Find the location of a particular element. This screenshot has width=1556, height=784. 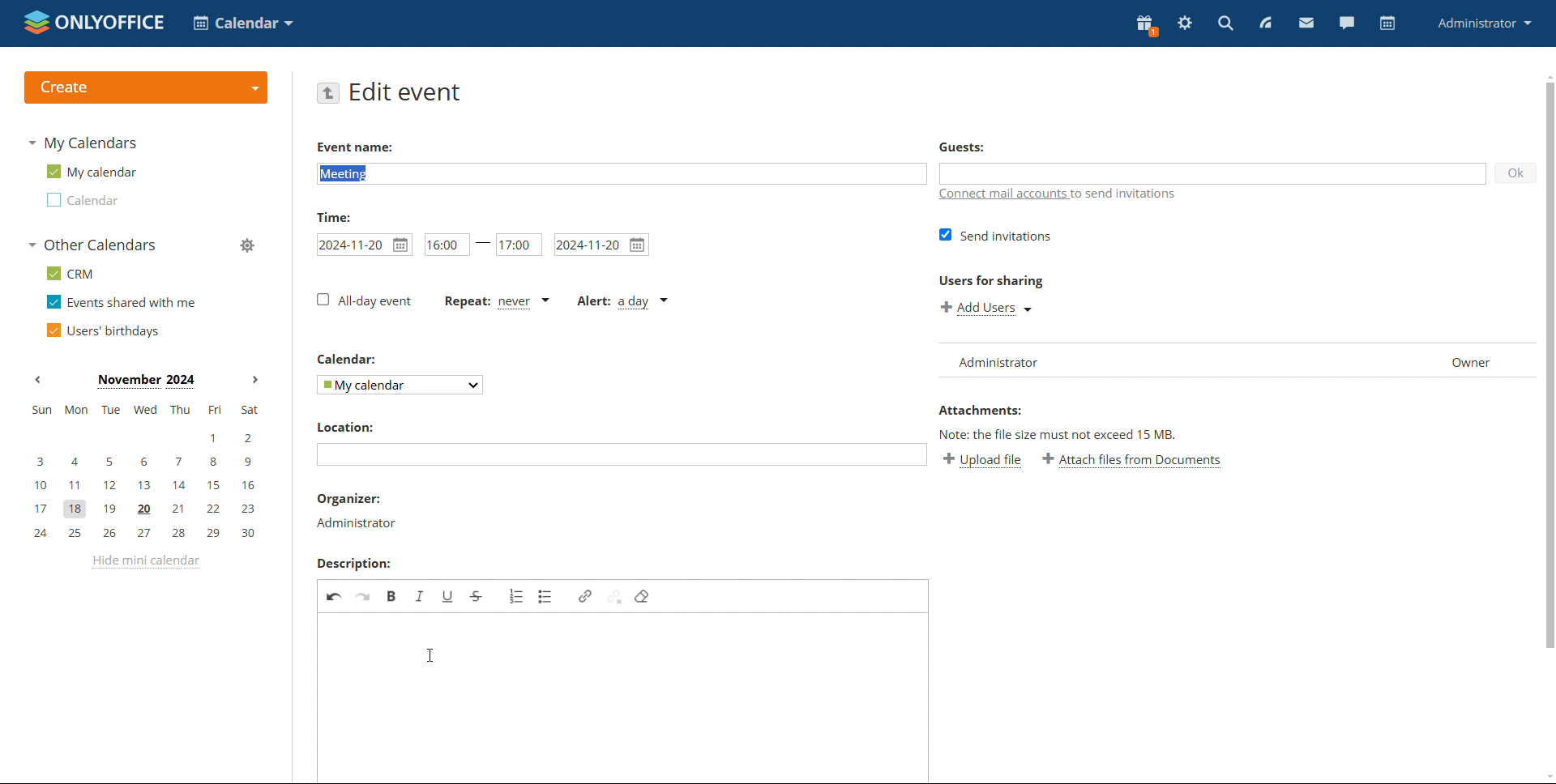

manage is located at coordinates (247, 245).